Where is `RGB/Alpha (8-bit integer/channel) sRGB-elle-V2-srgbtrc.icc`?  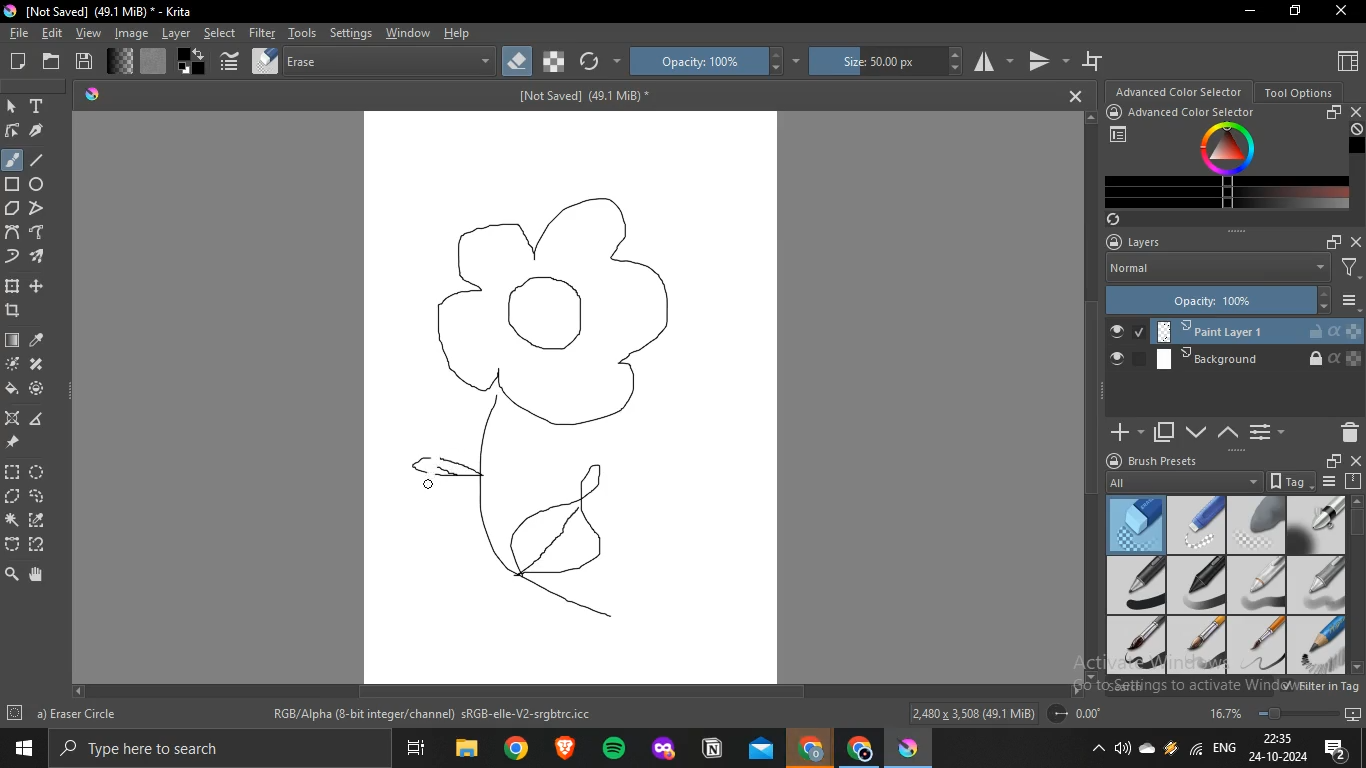 RGB/Alpha (8-bit integer/channel) sRGB-elle-V2-srgbtrc.icc is located at coordinates (436, 716).